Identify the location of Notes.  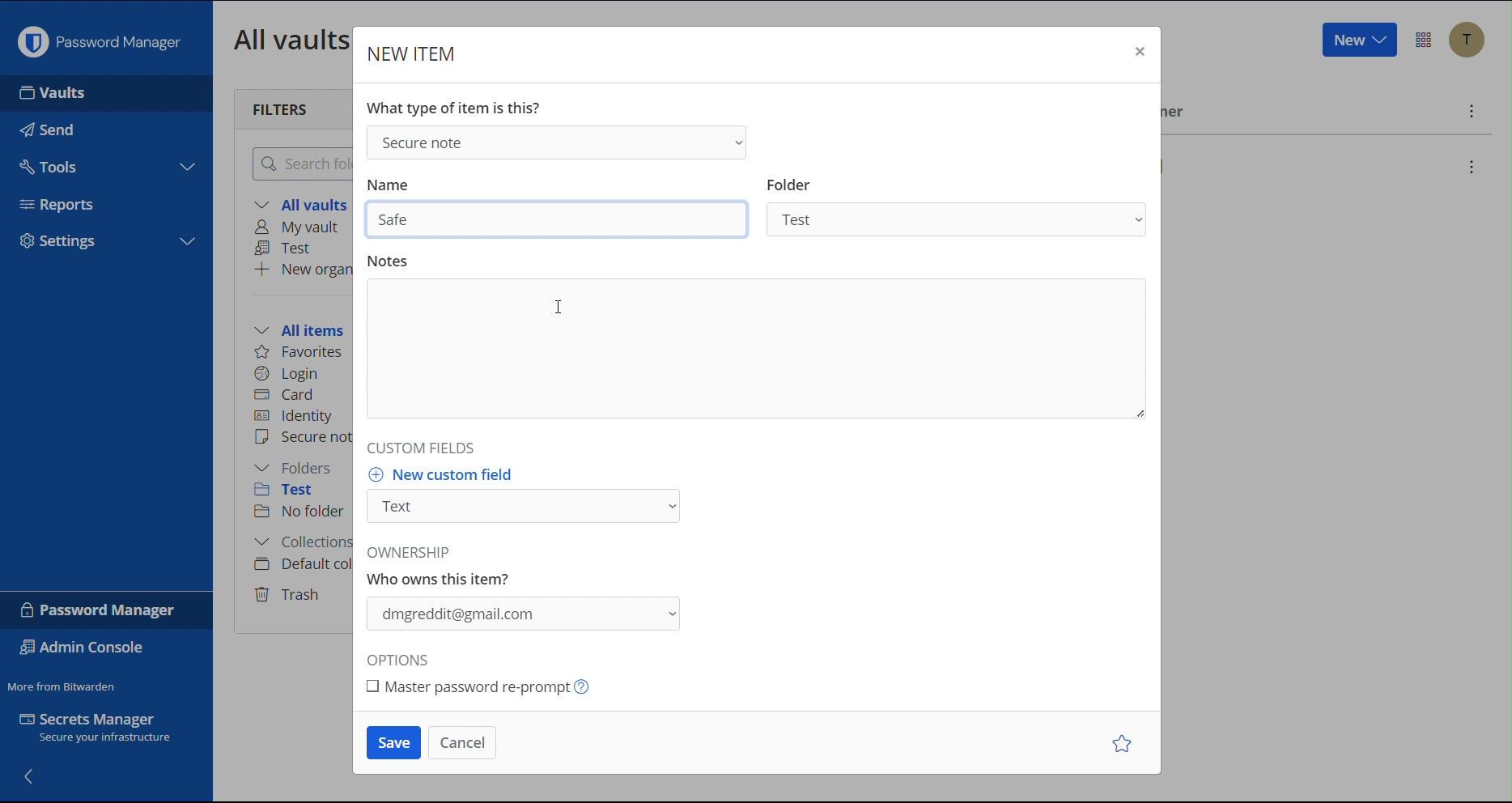
(758, 349).